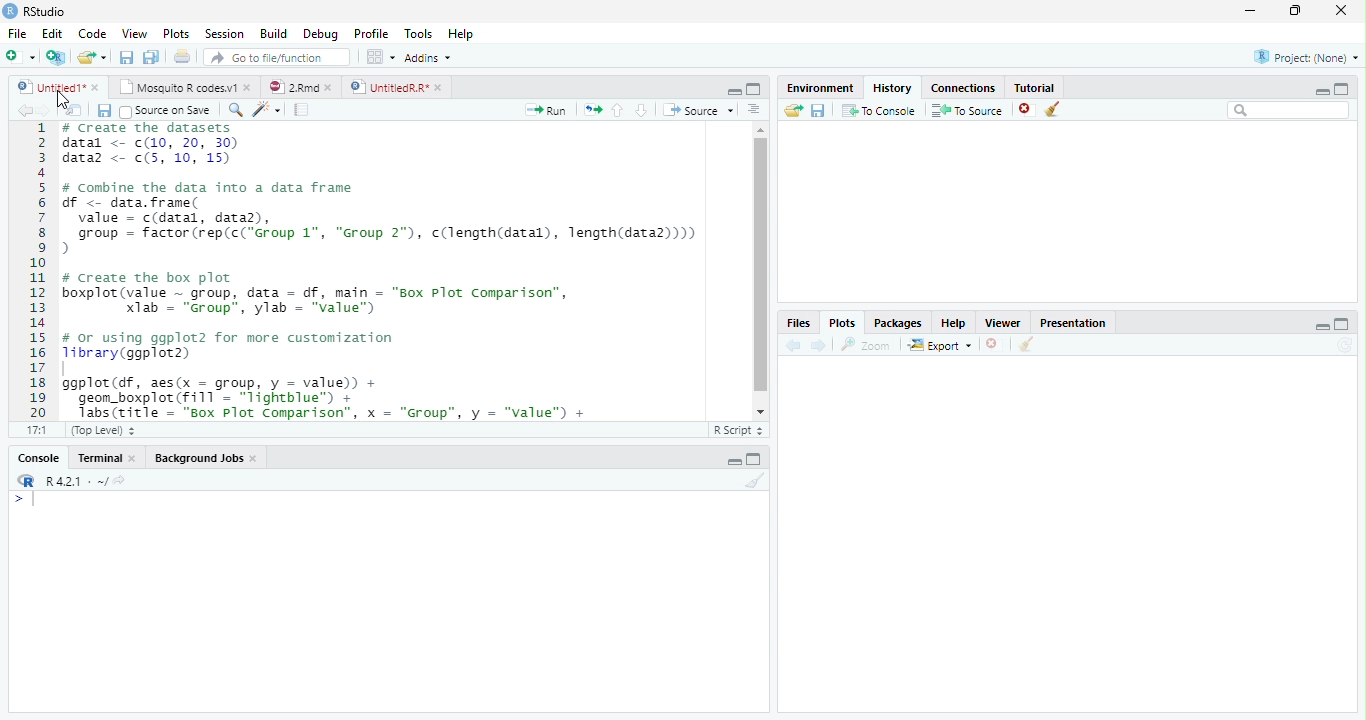 This screenshot has height=720, width=1366. Describe the element at coordinates (74, 109) in the screenshot. I see `Show in new window` at that location.